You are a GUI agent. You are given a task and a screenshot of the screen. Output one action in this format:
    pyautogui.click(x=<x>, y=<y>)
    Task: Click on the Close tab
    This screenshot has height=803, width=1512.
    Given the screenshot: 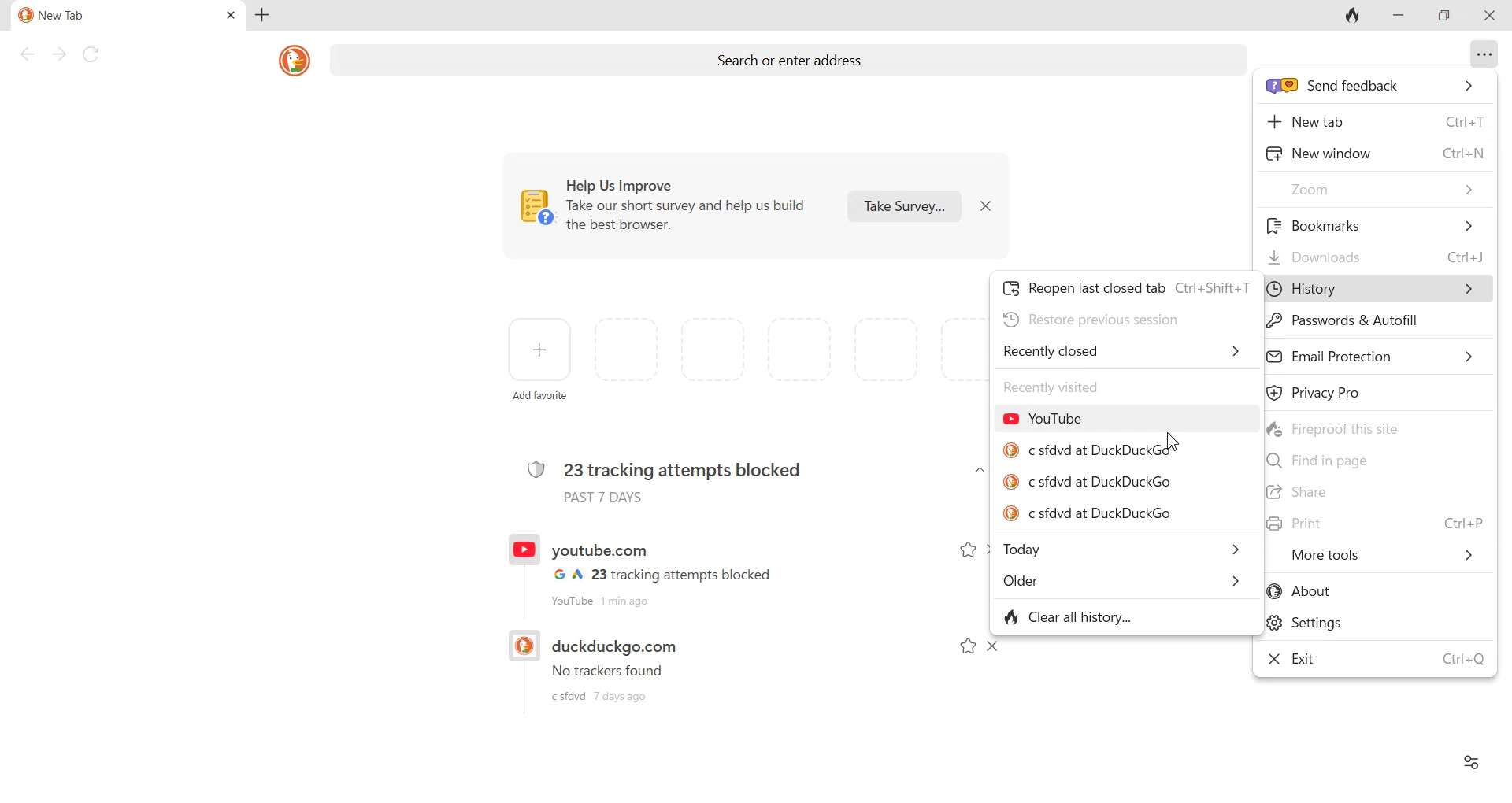 What is the action you would take?
    pyautogui.click(x=232, y=16)
    